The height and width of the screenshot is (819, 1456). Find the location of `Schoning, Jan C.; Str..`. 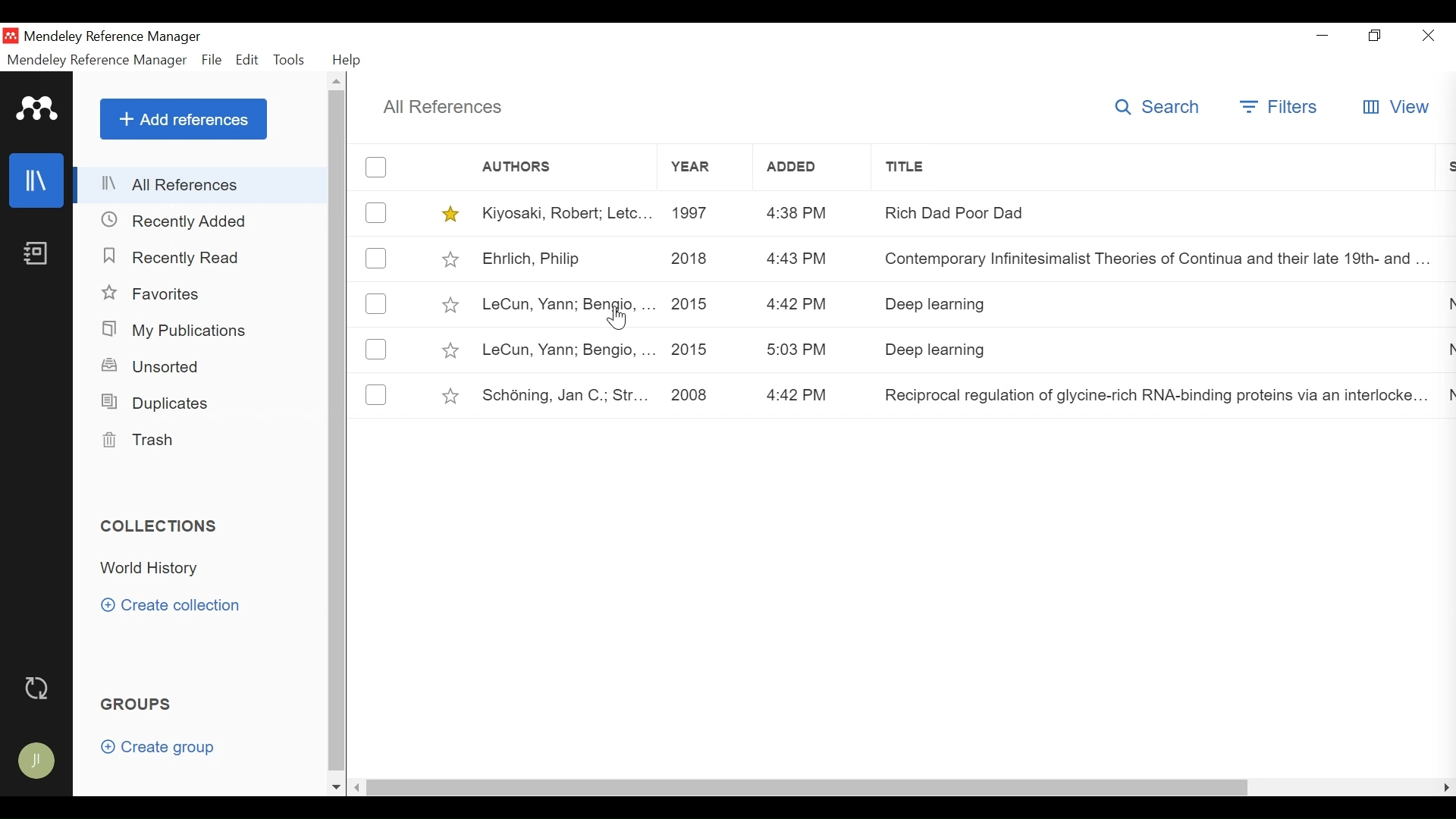

Schoning, Jan C.; Str.. is located at coordinates (566, 397).